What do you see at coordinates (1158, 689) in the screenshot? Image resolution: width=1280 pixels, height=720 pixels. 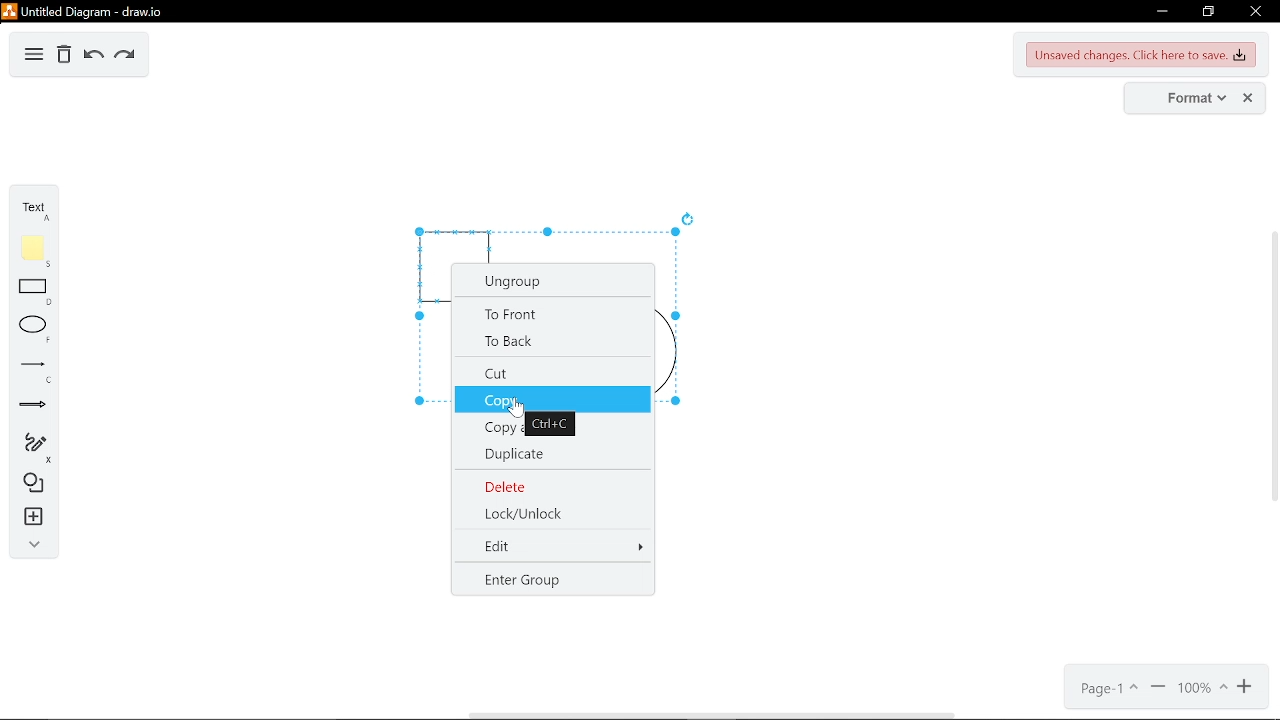 I see `zoom out` at bounding box center [1158, 689].